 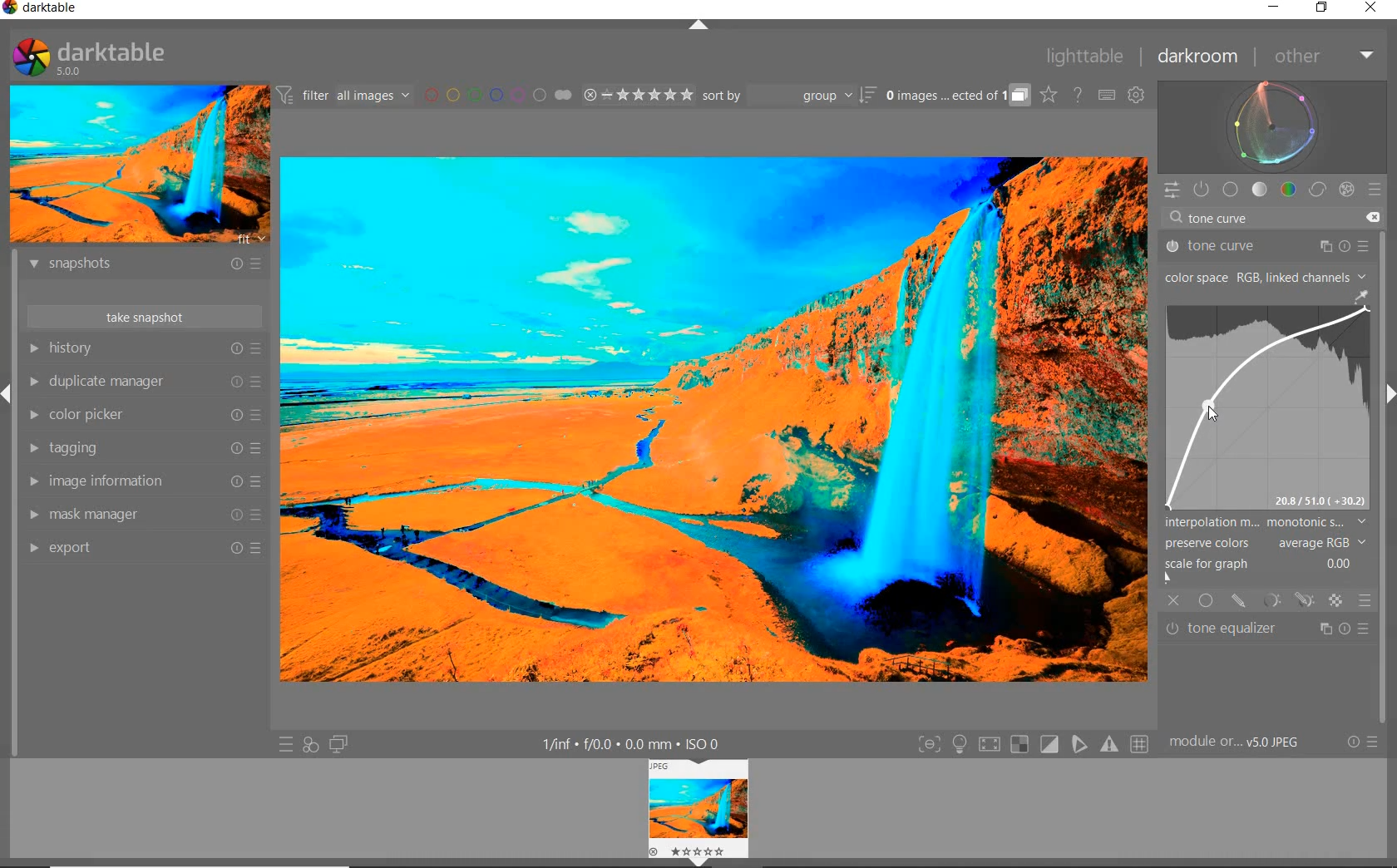 I want to click on EXPAND GROUPED IMAGES, so click(x=958, y=96).